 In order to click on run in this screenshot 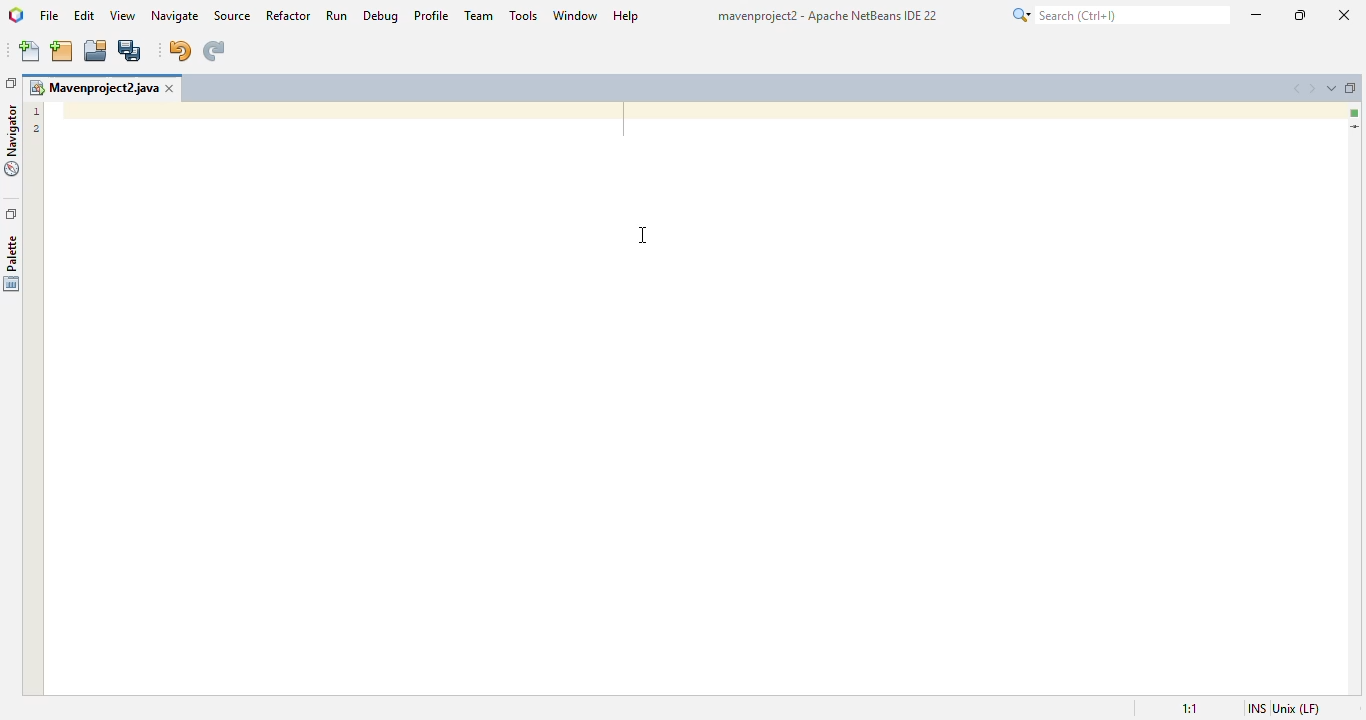, I will do `click(337, 15)`.